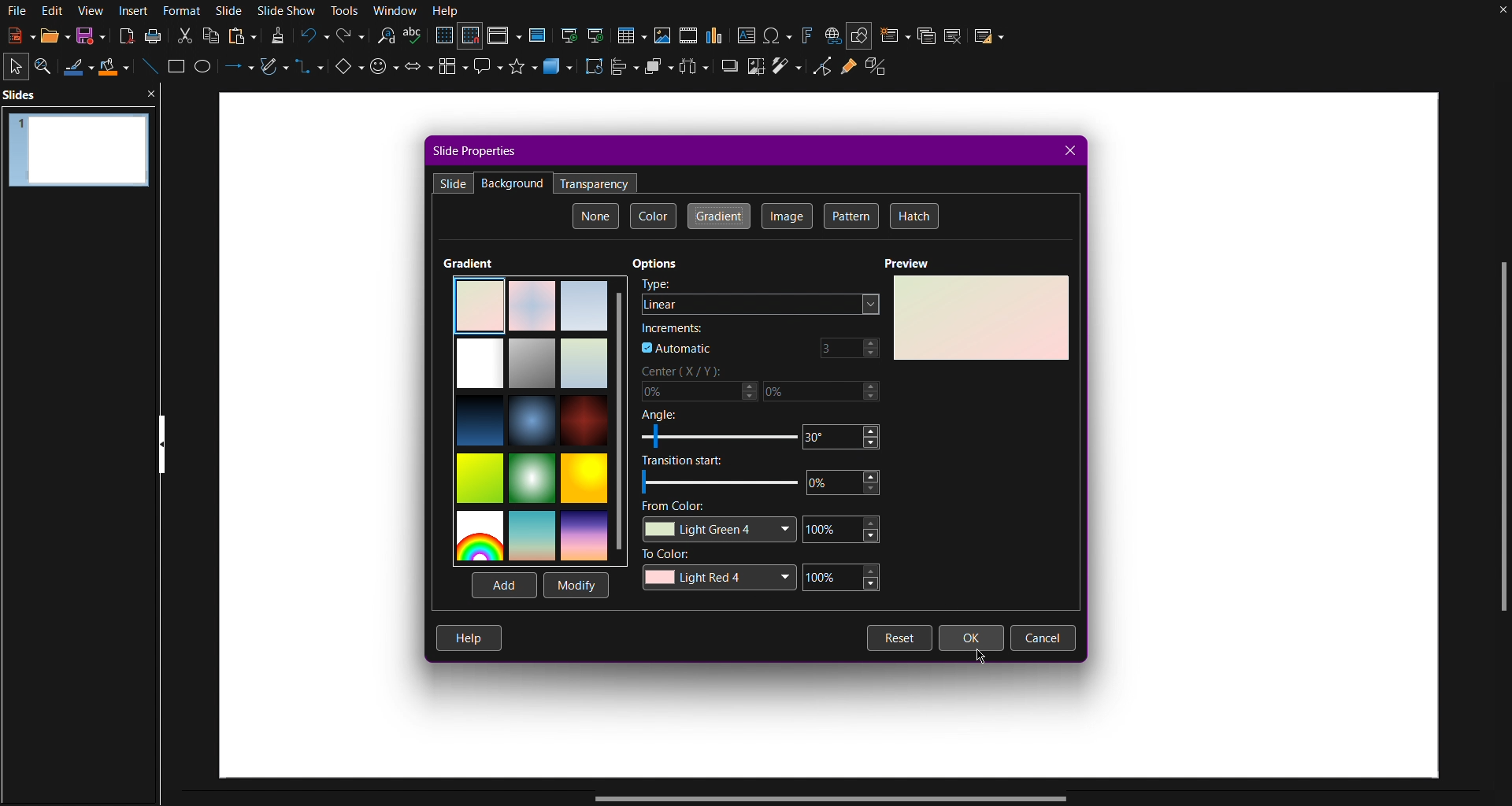 This screenshot has width=1512, height=806. I want to click on Reset, so click(899, 638).